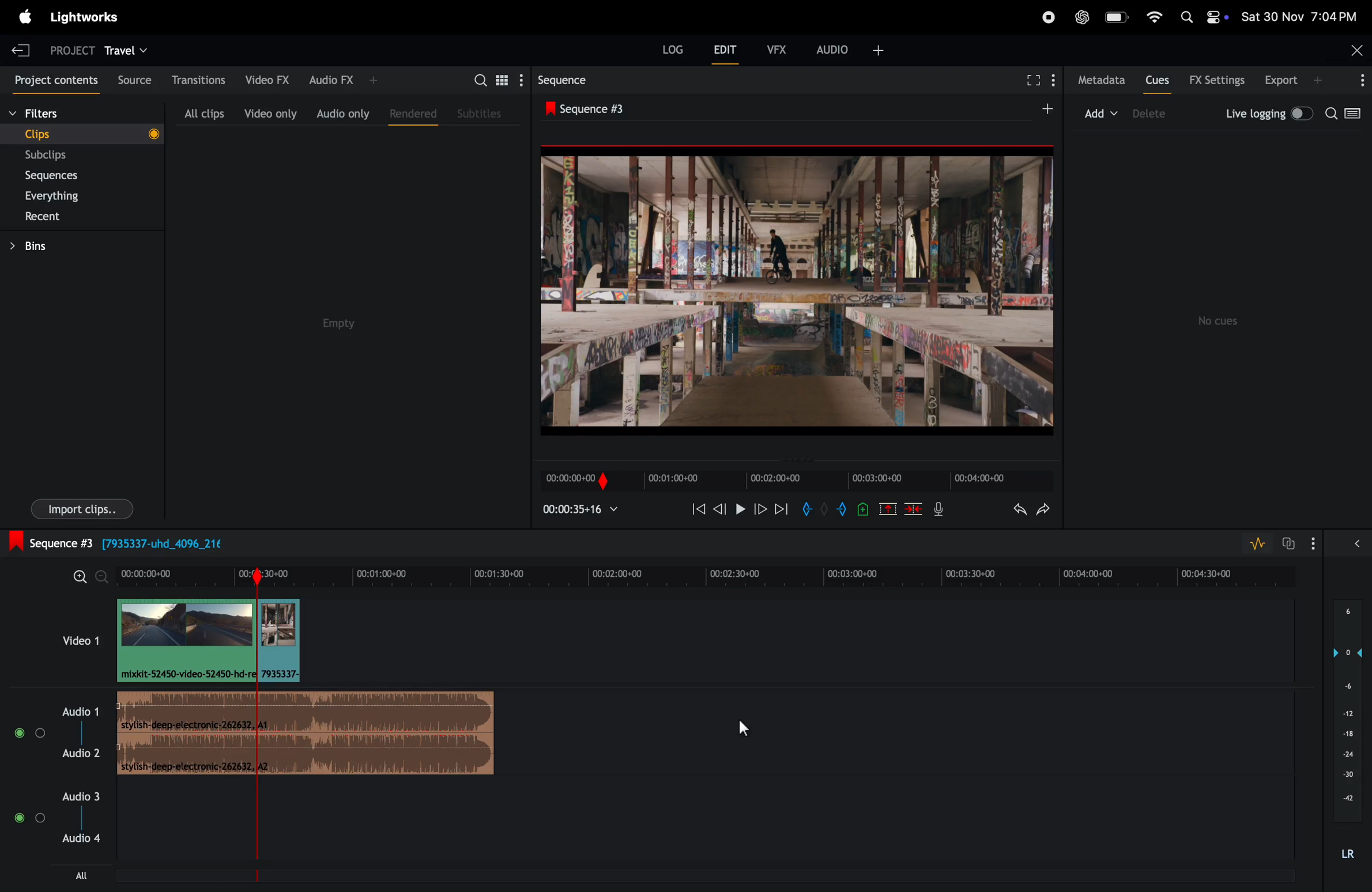 The image size is (1372, 892). I want to click on everything, so click(70, 195).